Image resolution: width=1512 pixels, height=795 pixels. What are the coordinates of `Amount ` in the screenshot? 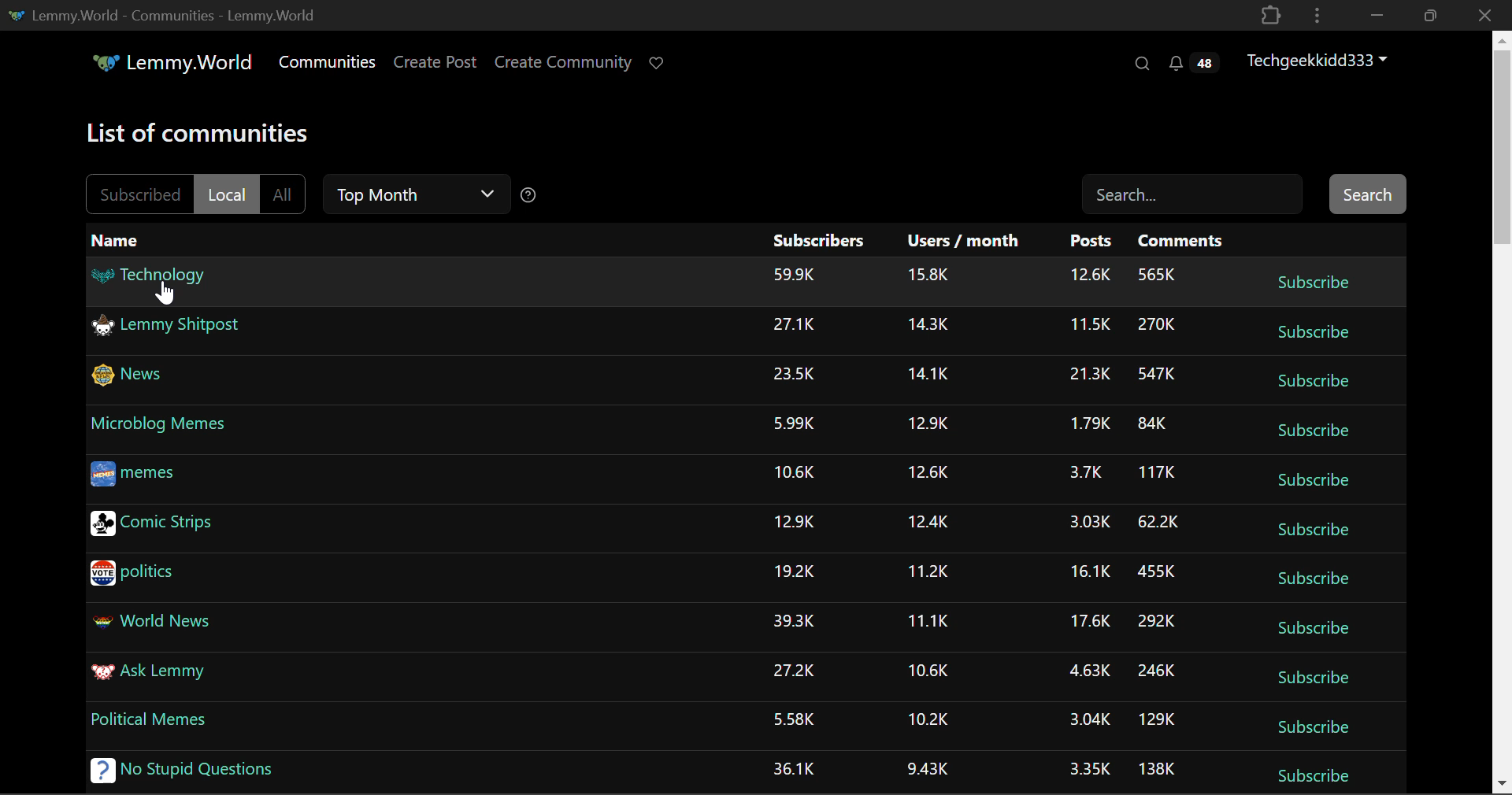 It's located at (925, 423).